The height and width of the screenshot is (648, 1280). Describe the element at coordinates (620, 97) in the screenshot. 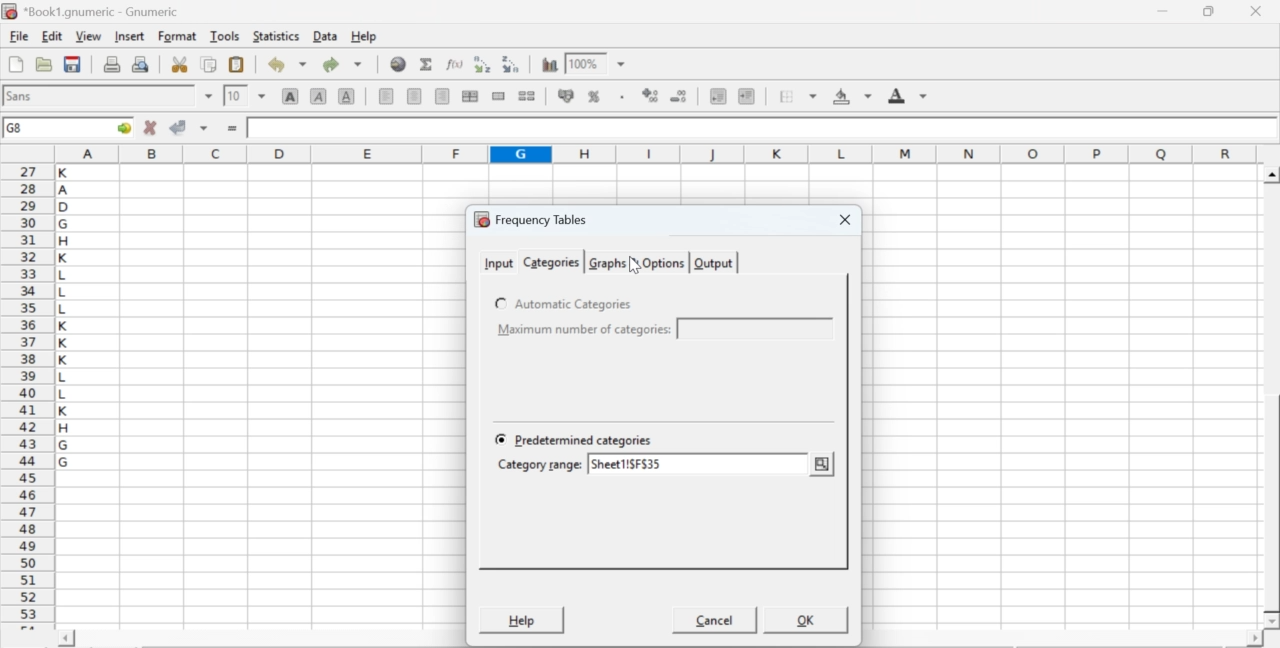

I see `Set the format of the selected cells to include a thousands separator` at that location.